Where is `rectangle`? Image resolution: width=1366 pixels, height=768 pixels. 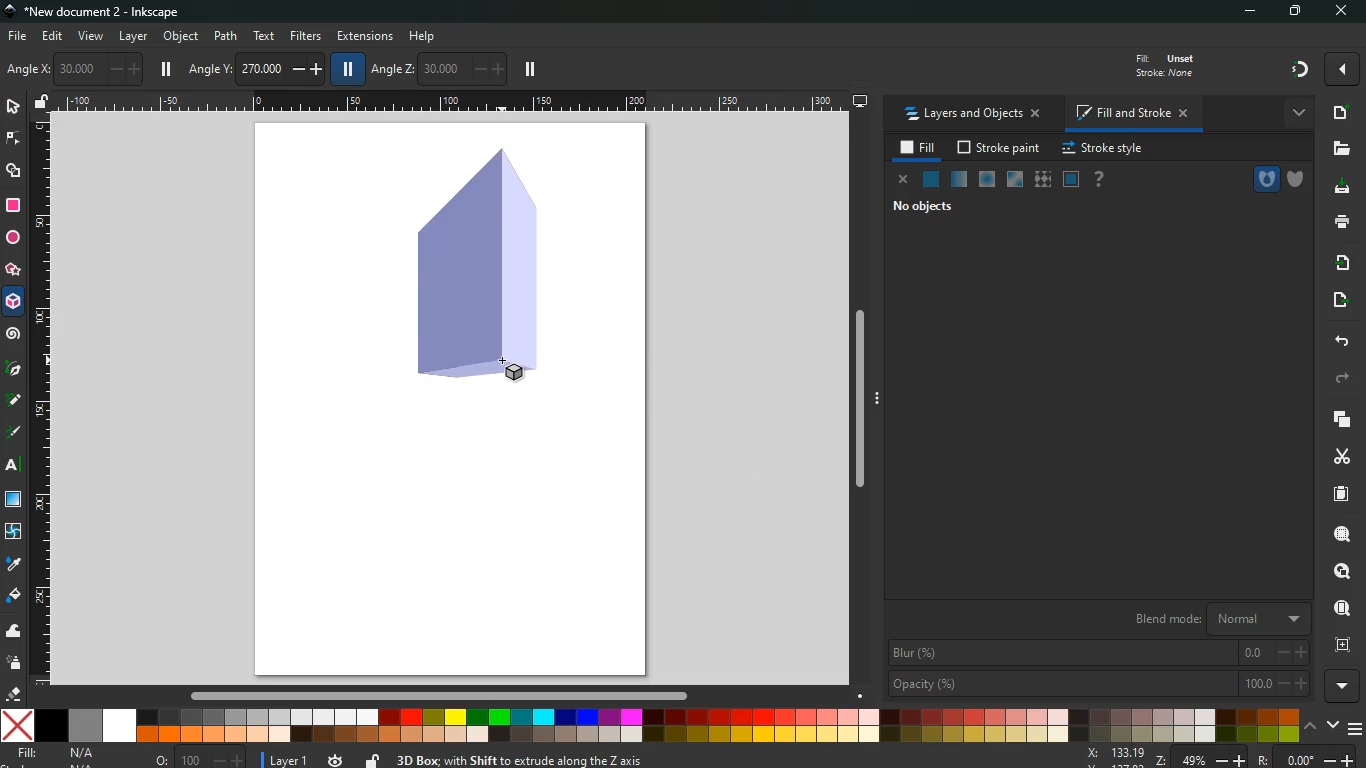 rectangle is located at coordinates (12, 206).